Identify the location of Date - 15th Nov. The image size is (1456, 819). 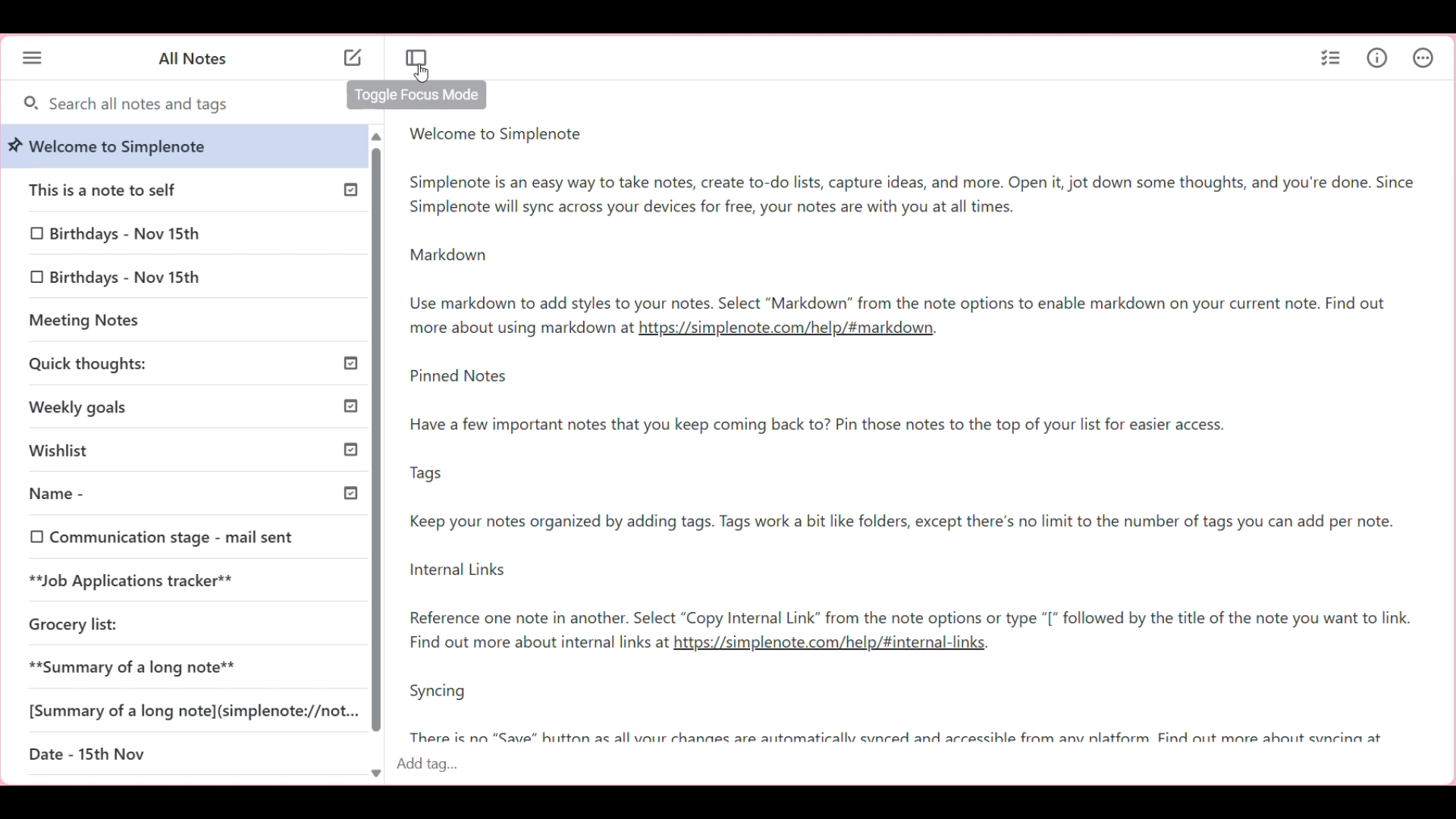
(86, 755).